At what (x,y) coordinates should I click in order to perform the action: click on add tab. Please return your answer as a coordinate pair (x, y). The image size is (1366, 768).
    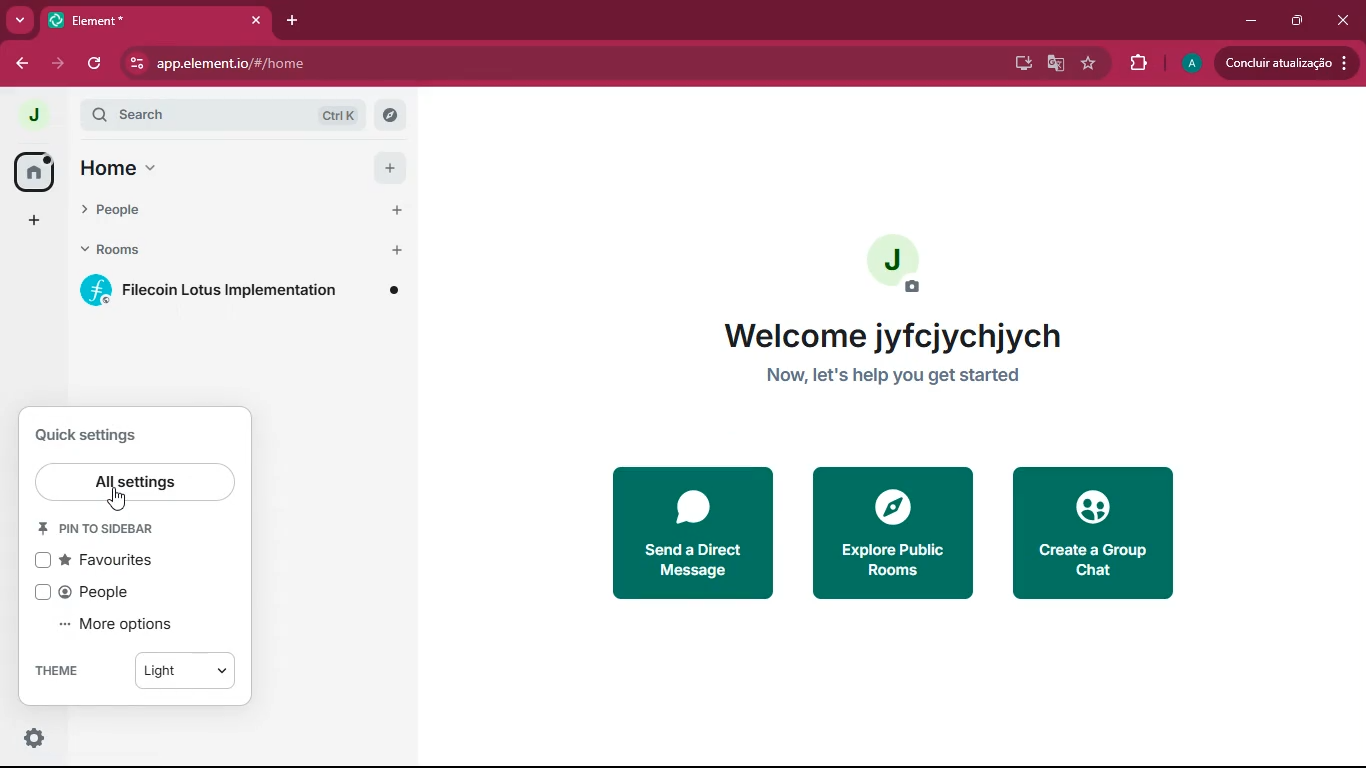
    Looking at the image, I should click on (290, 22).